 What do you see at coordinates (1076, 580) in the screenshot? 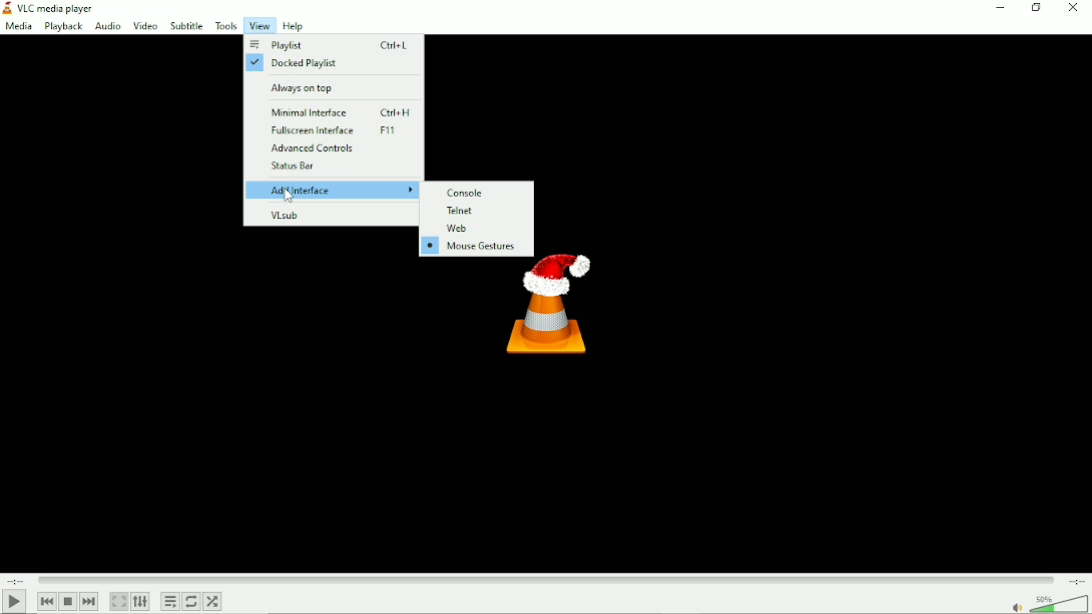
I see `Total duration` at bounding box center [1076, 580].